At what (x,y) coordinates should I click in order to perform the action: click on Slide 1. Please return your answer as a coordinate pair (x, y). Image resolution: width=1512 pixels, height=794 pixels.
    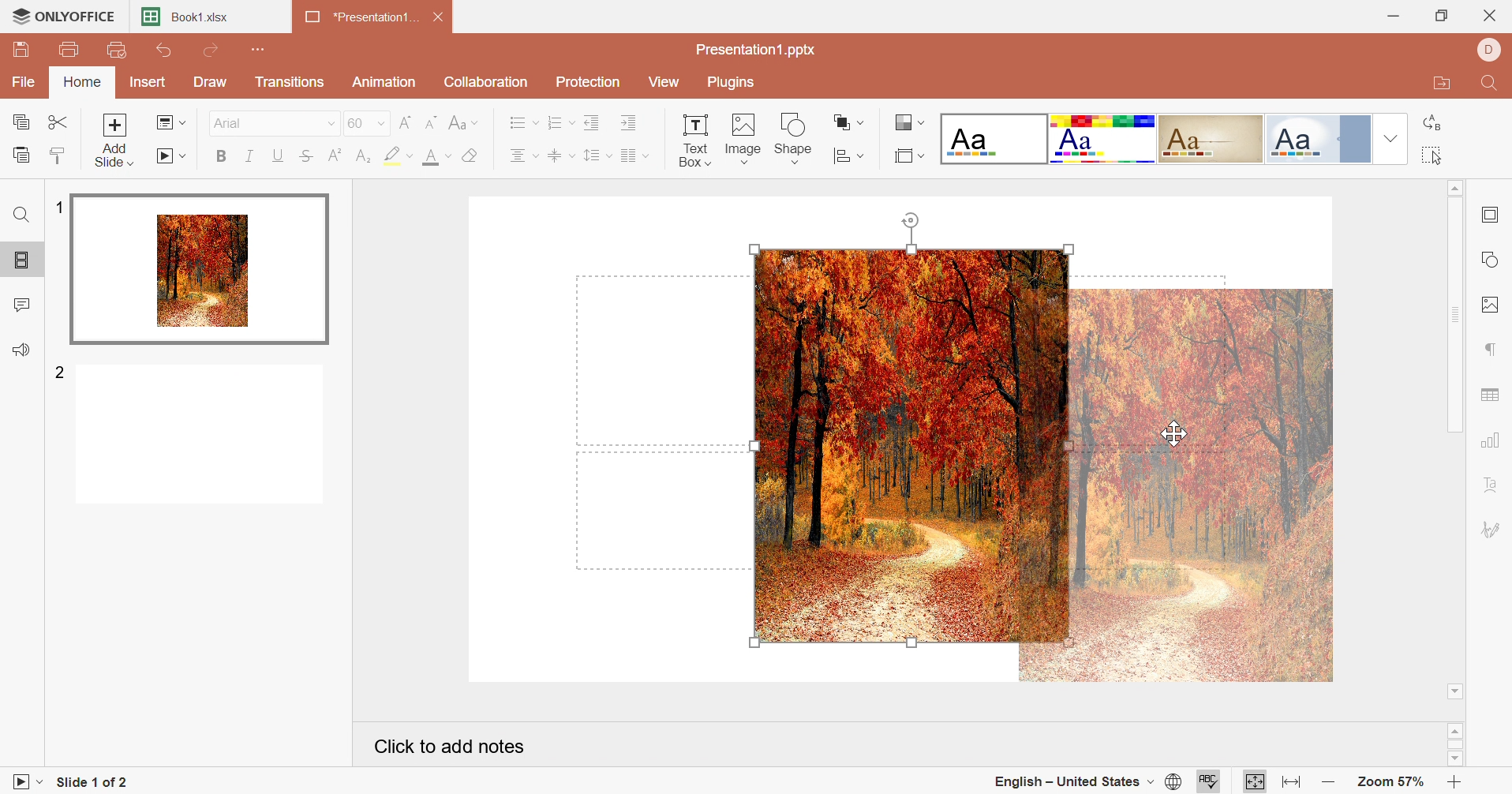
    Looking at the image, I should click on (201, 271).